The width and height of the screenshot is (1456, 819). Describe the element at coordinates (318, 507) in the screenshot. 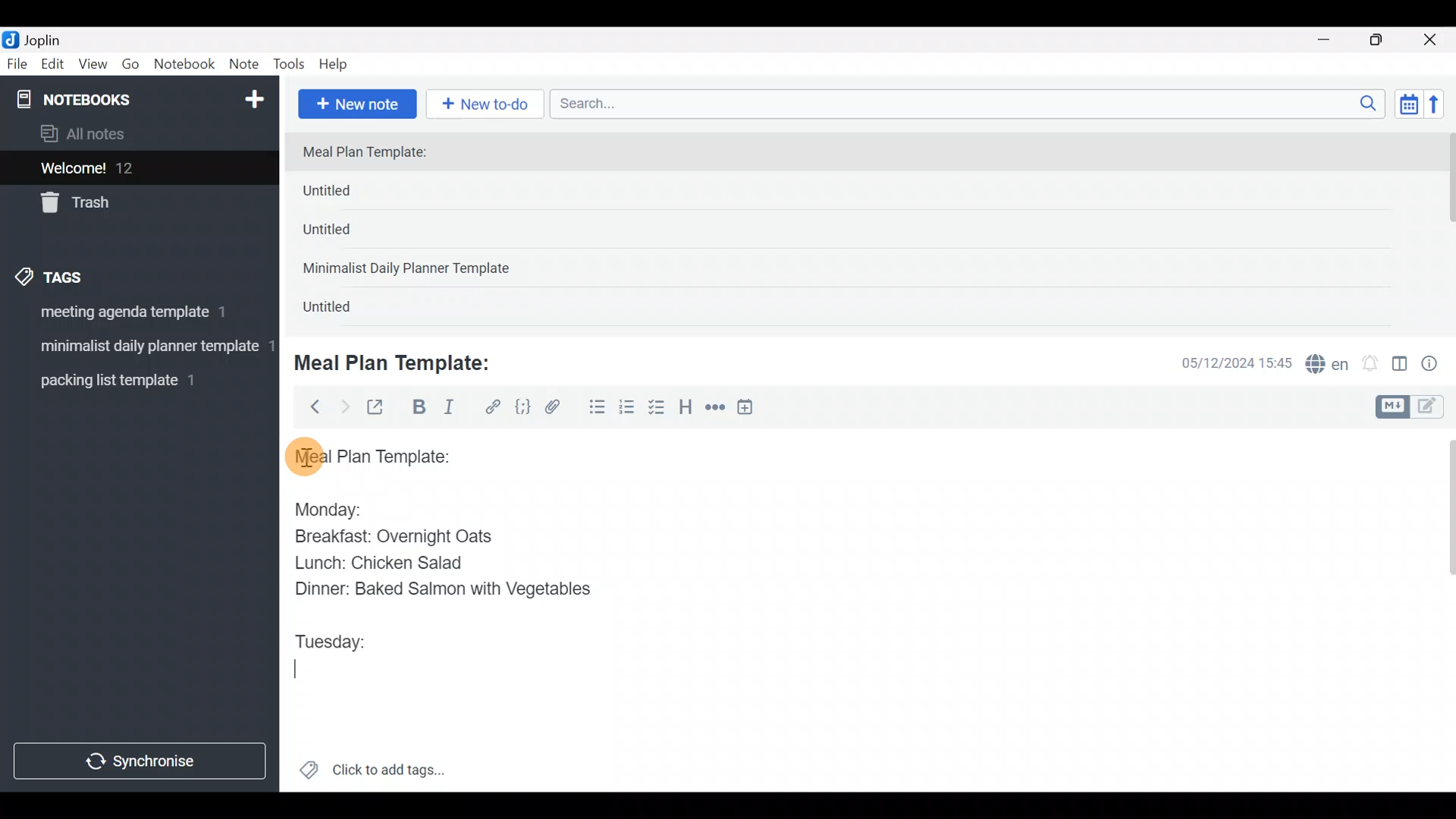

I see `Monday:` at that location.